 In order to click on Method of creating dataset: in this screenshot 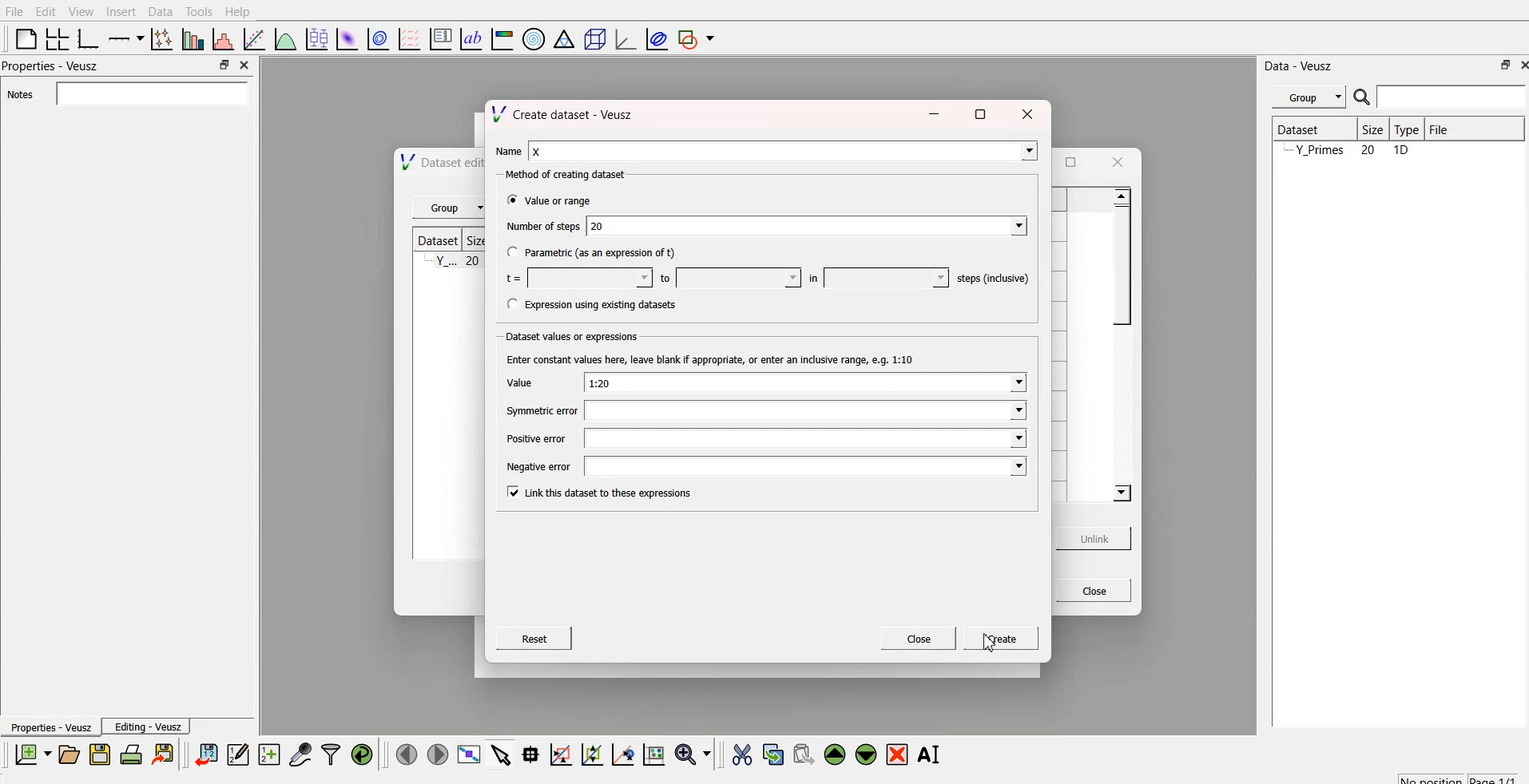, I will do `click(573, 172)`.